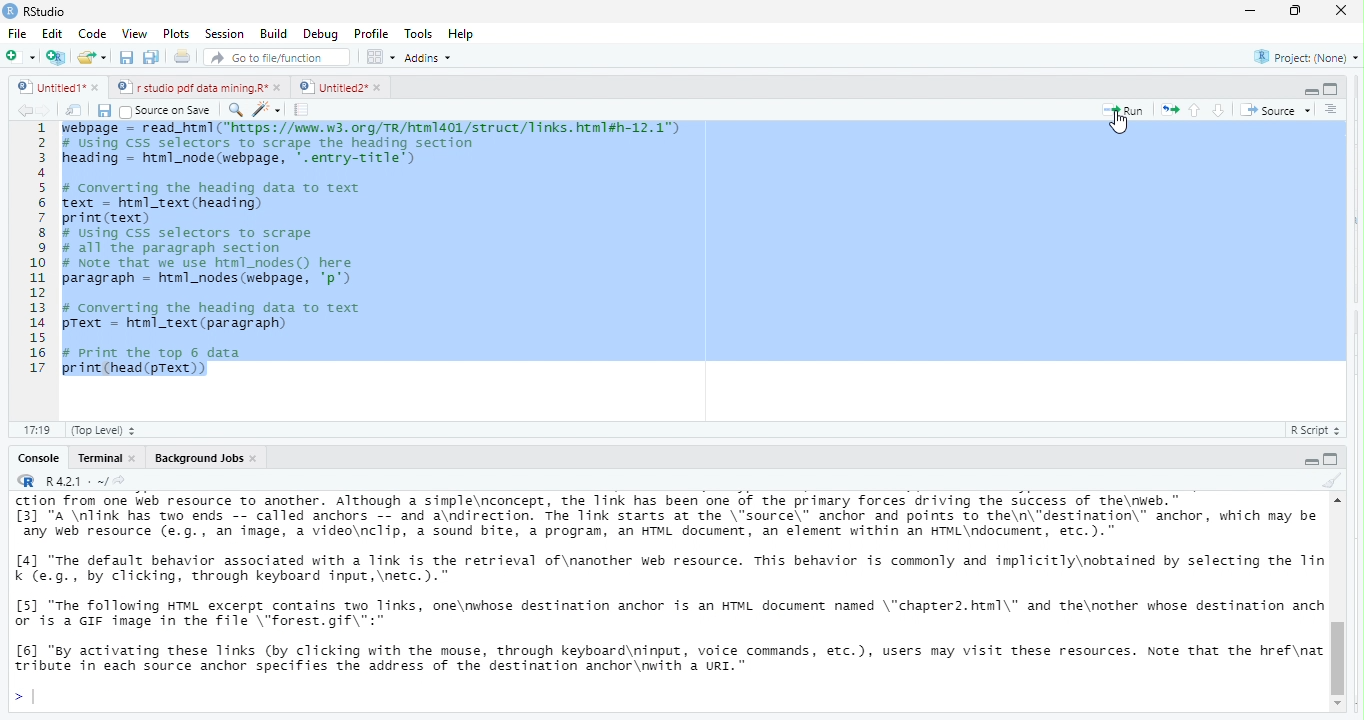  Describe the element at coordinates (179, 58) in the screenshot. I see `print the current file` at that location.